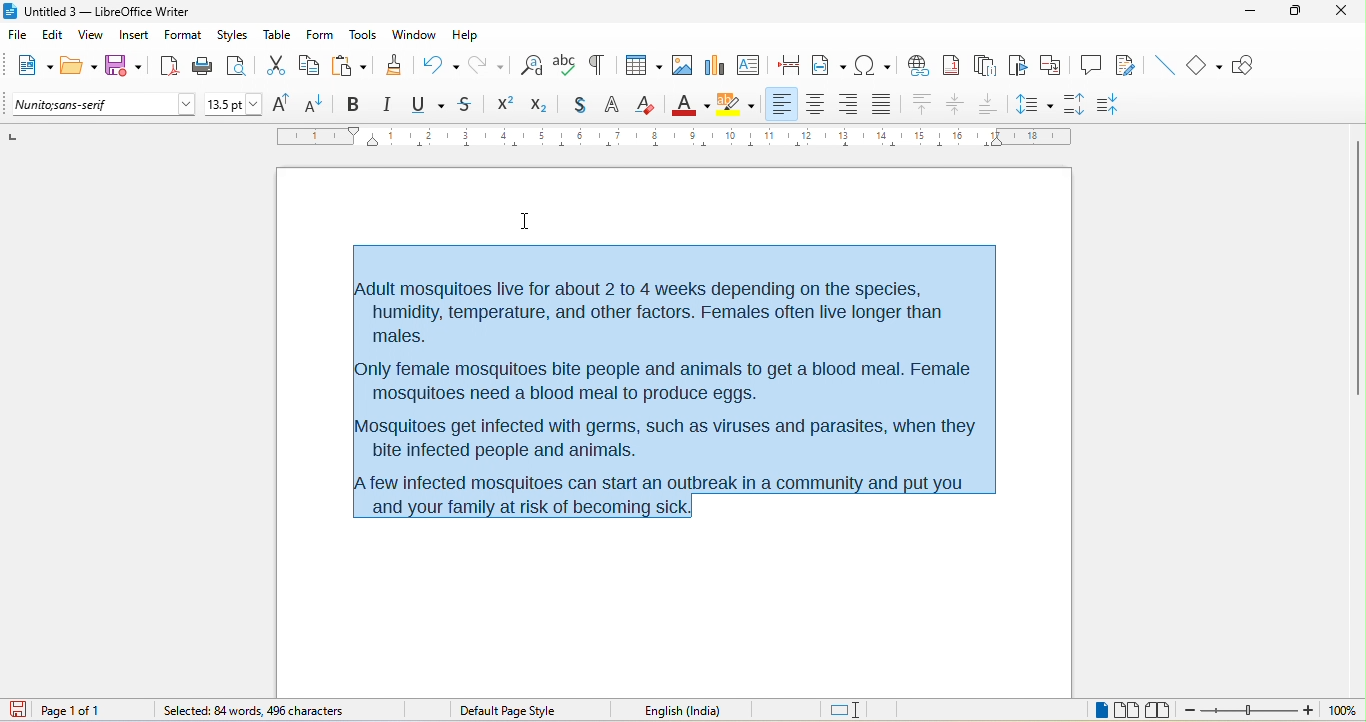  What do you see at coordinates (386, 105) in the screenshot?
I see `italic` at bounding box center [386, 105].